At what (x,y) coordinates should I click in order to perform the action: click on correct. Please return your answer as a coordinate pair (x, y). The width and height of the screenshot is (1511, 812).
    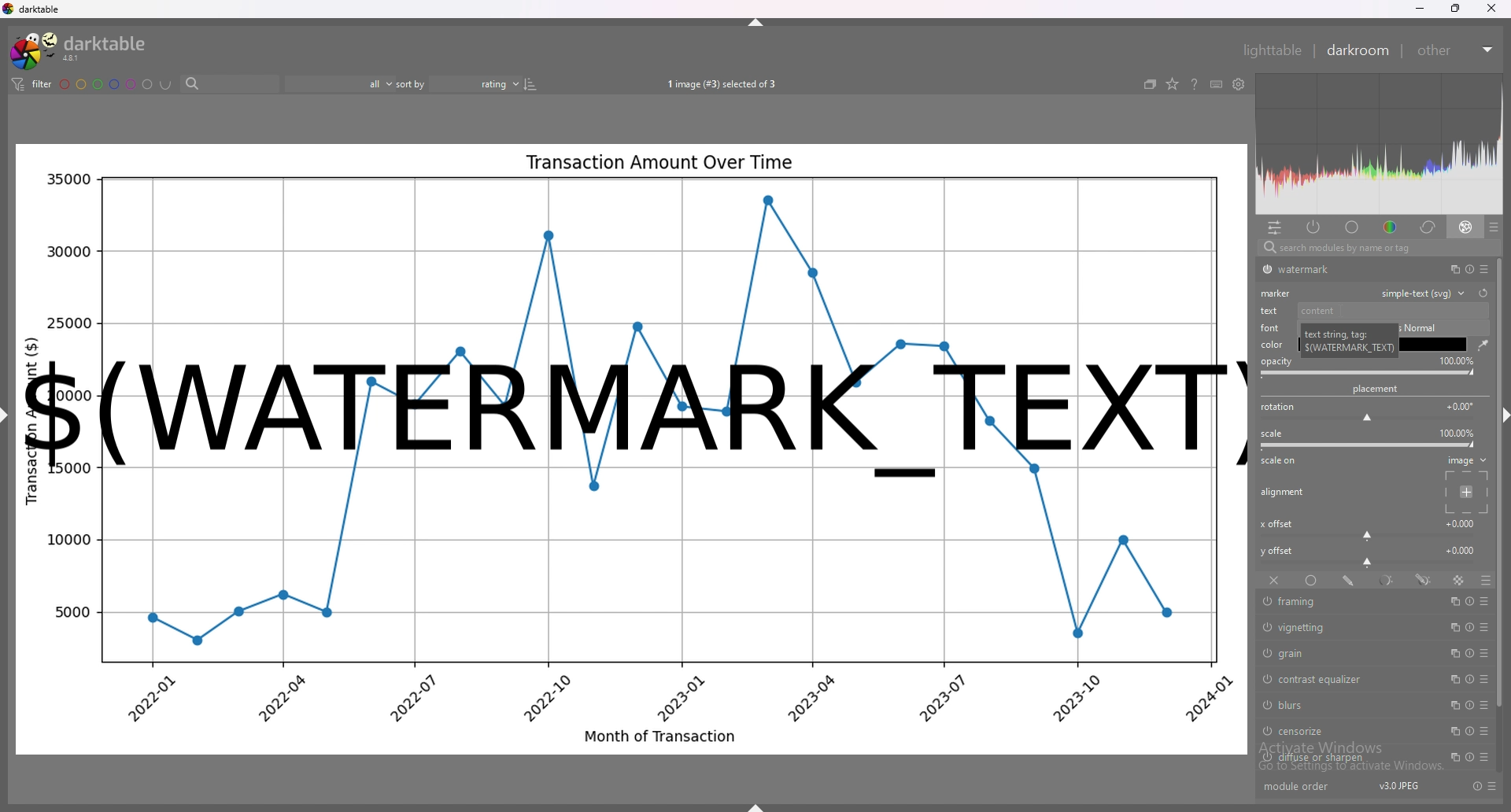
    Looking at the image, I should click on (1426, 227).